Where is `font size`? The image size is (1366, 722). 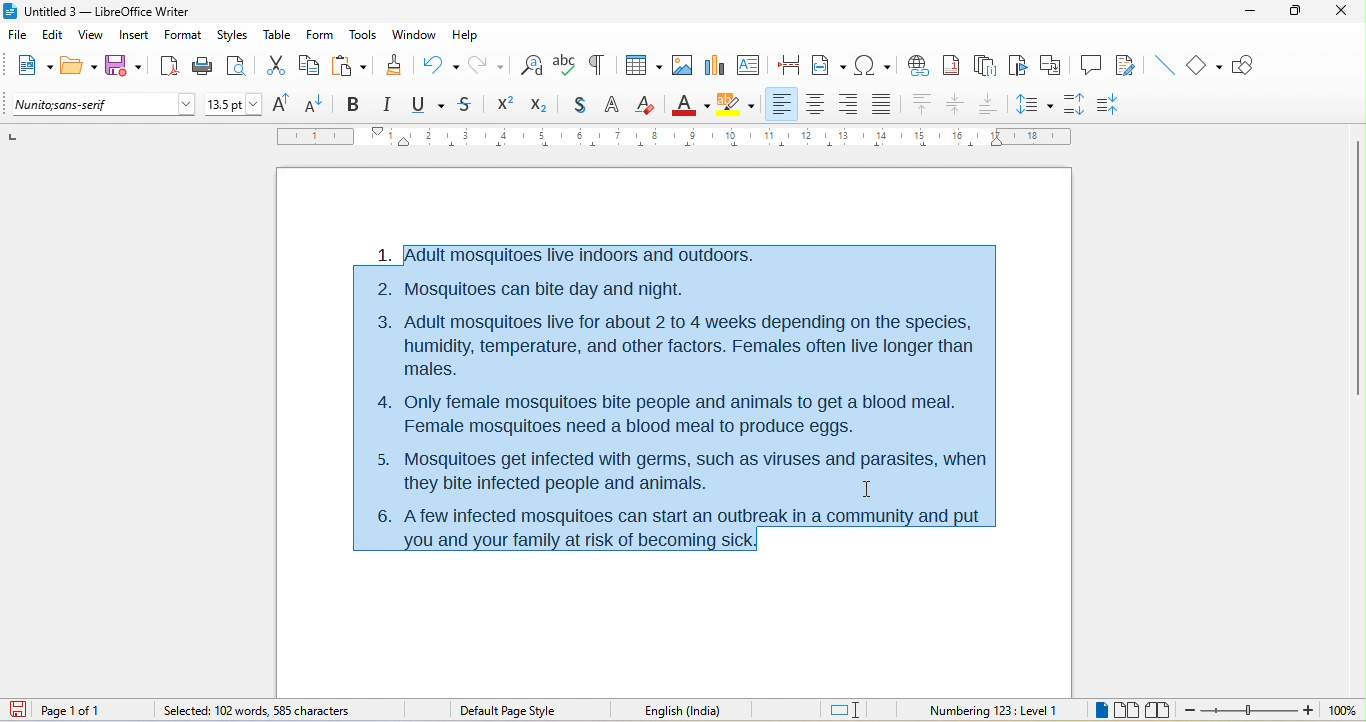 font size is located at coordinates (234, 104).